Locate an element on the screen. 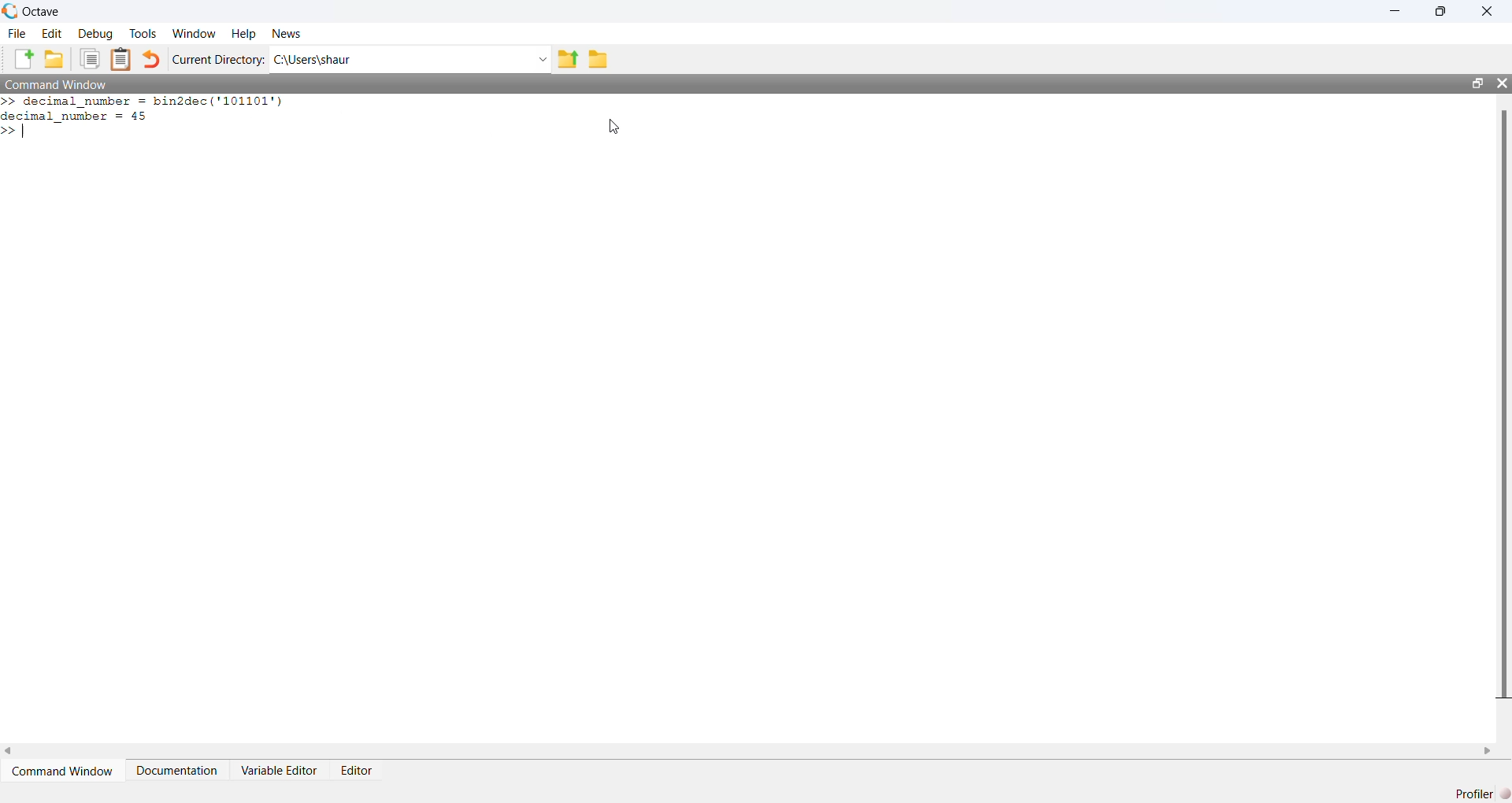 Image resolution: width=1512 pixels, height=803 pixels. maximise is located at coordinates (1443, 9).